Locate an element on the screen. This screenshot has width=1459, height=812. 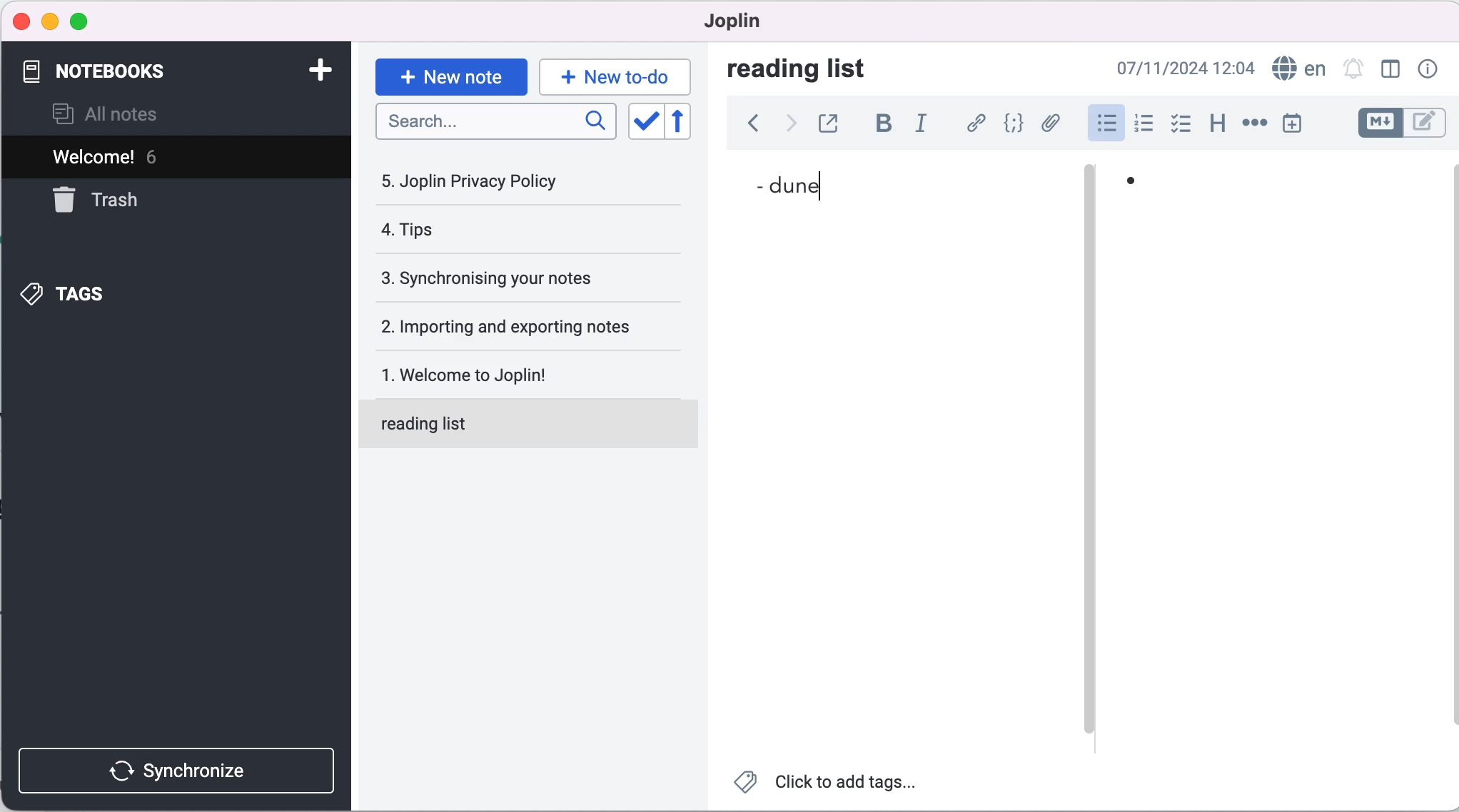
bullet list point is located at coordinates (1131, 181).